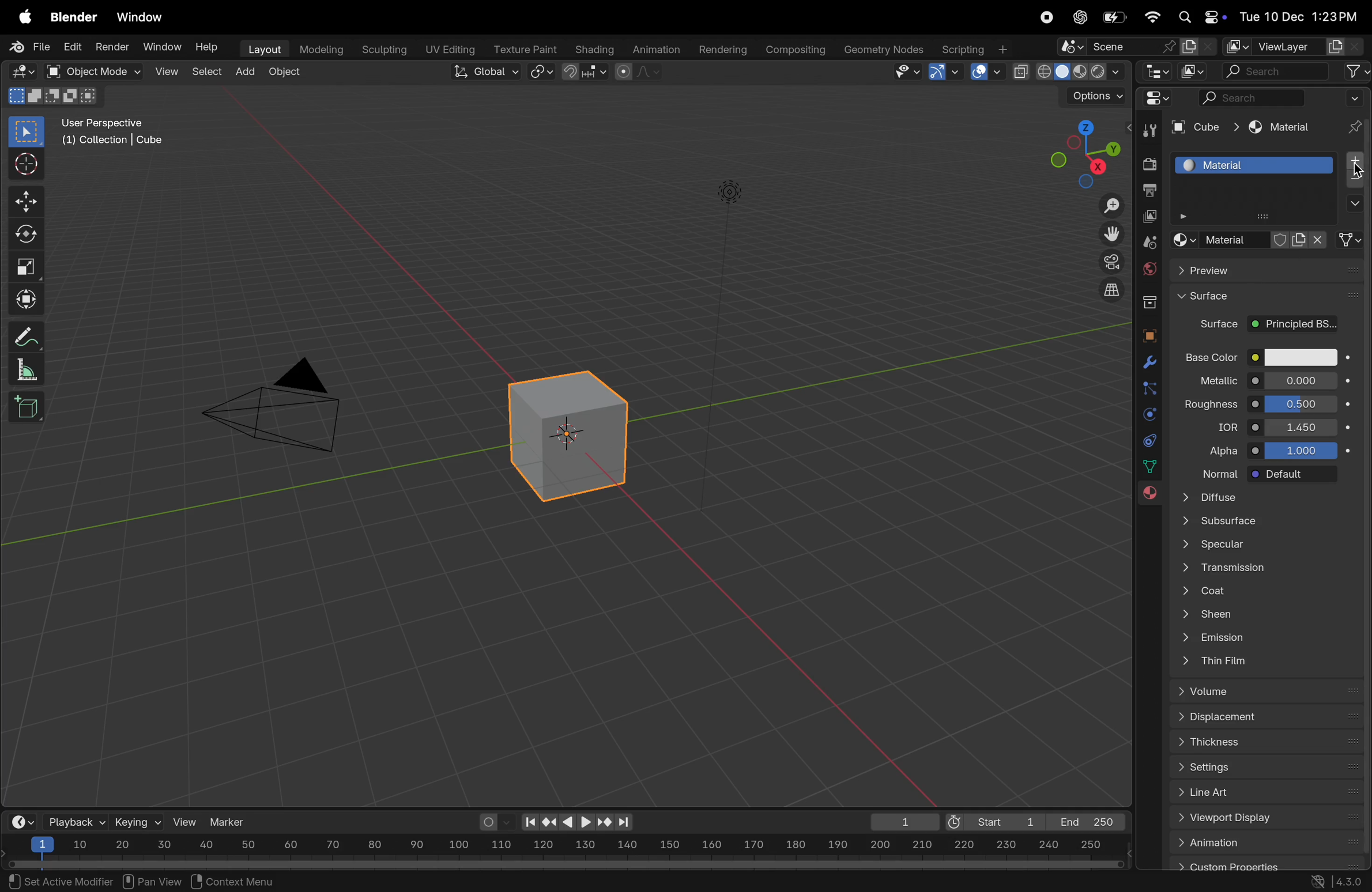 This screenshot has width=1372, height=892. Describe the element at coordinates (24, 297) in the screenshot. I see `transform` at that location.